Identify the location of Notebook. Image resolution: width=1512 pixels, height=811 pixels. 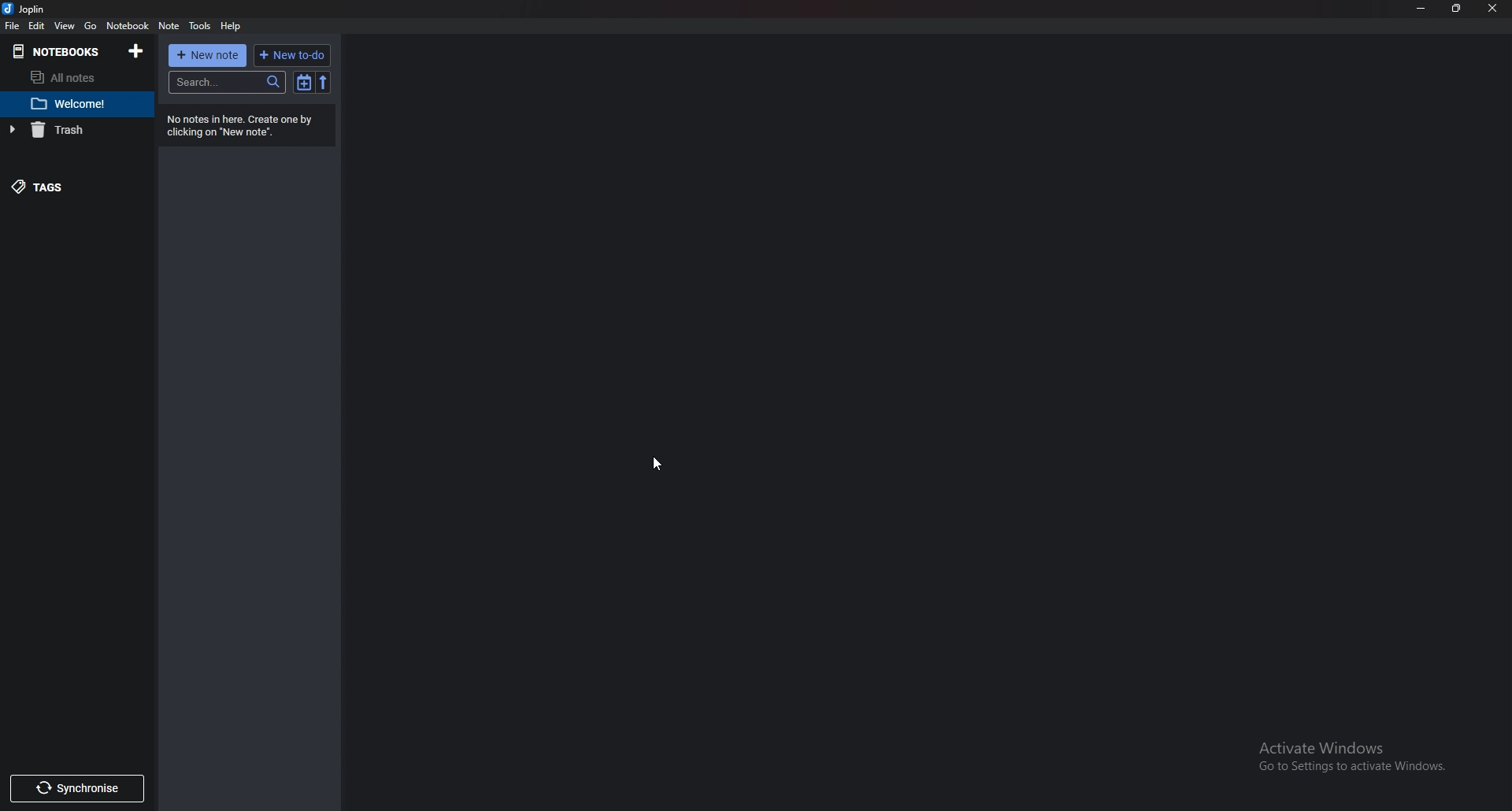
(127, 25).